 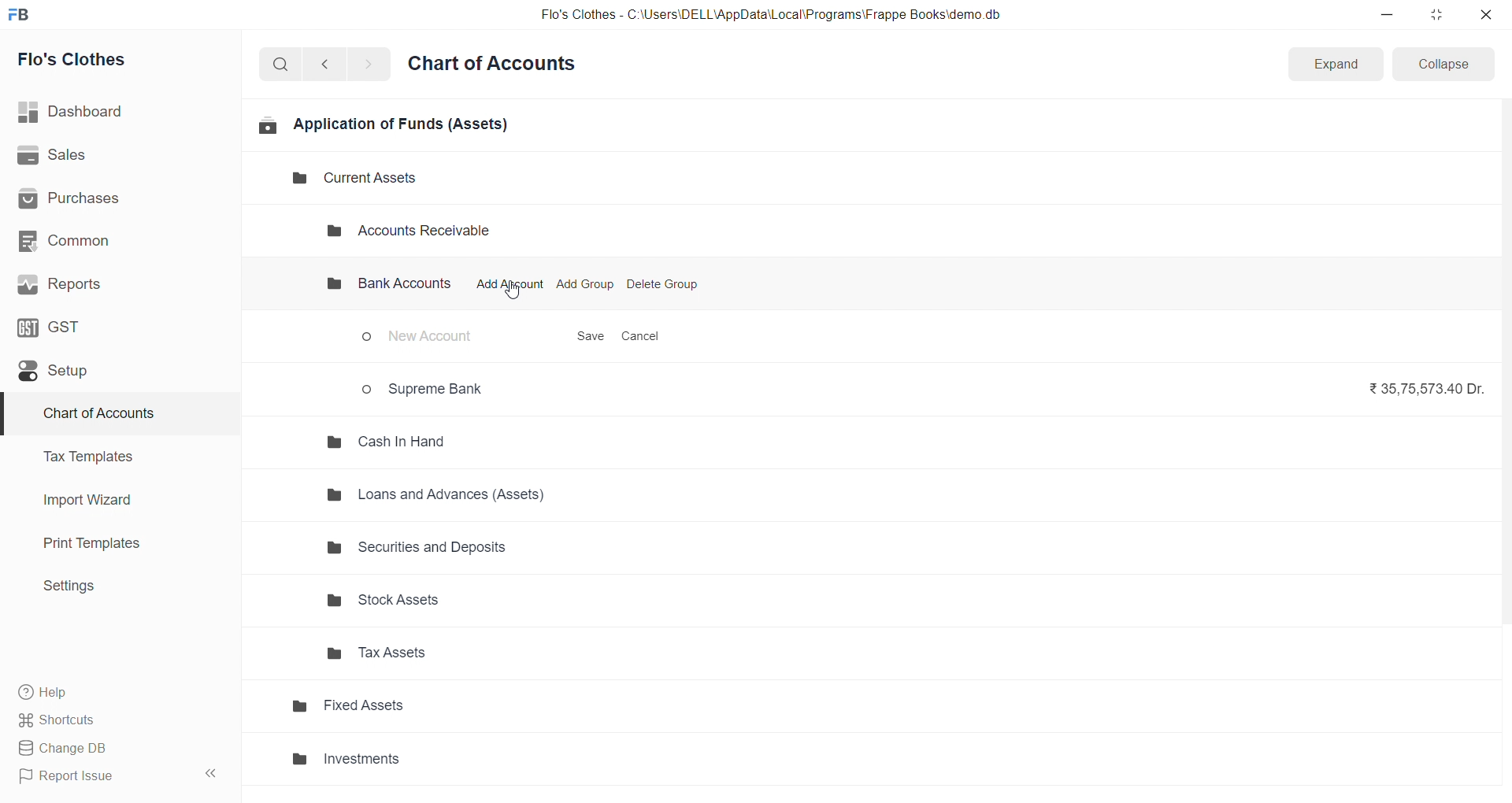 What do you see at coordinates (496, 65) in the screenshot?
I see `Chart of Accounts` at bounding box center [496, 65].